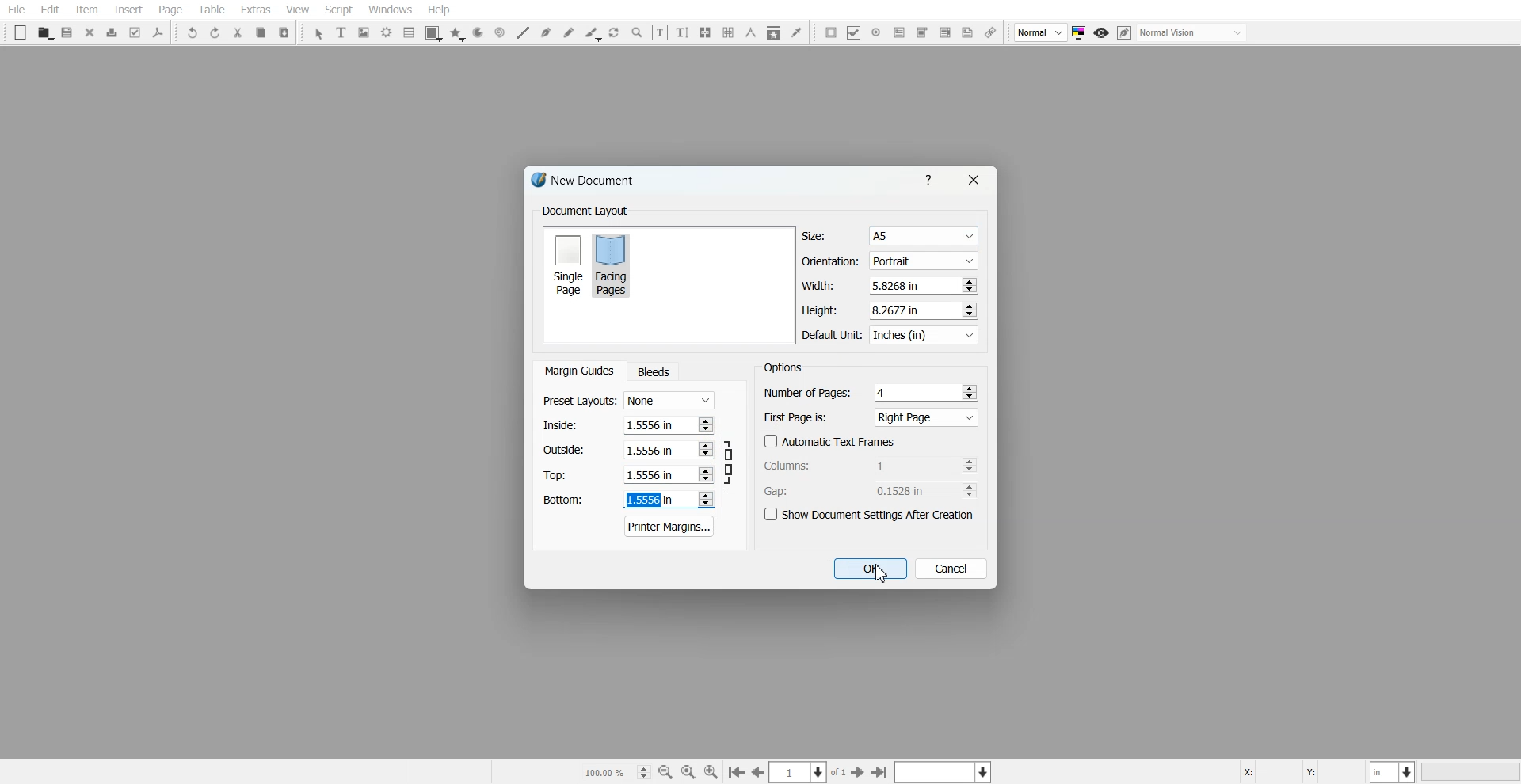 This screenshot has width=1521, height=784. What do you see at coordinates (860, 772) in the screenshot?
I see `Go to the First page` at bounding box center [860, 772].